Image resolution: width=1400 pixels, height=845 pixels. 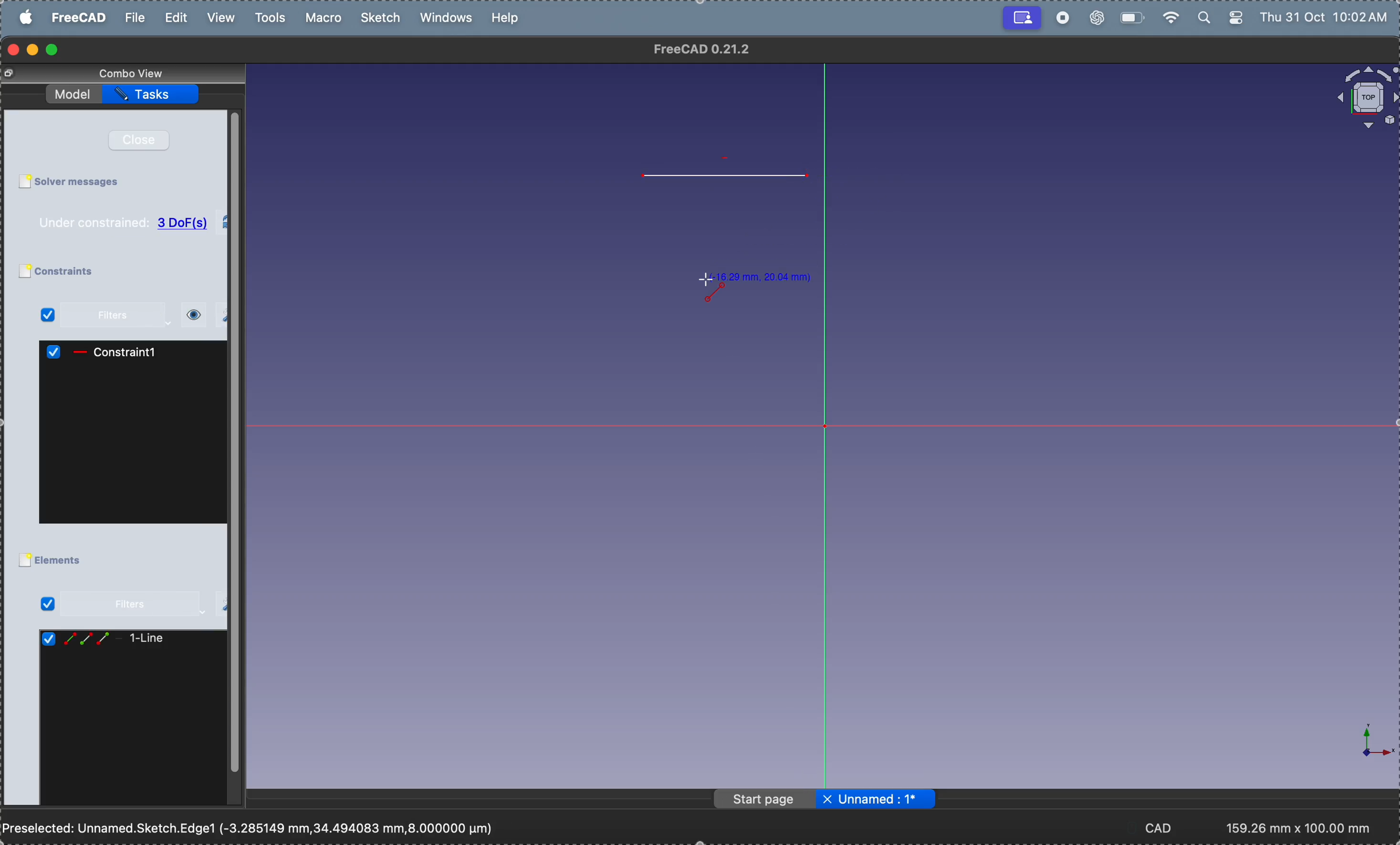 I want to click on Thu 31 Oct 10:02 AM, so click(x=1327, y=19).